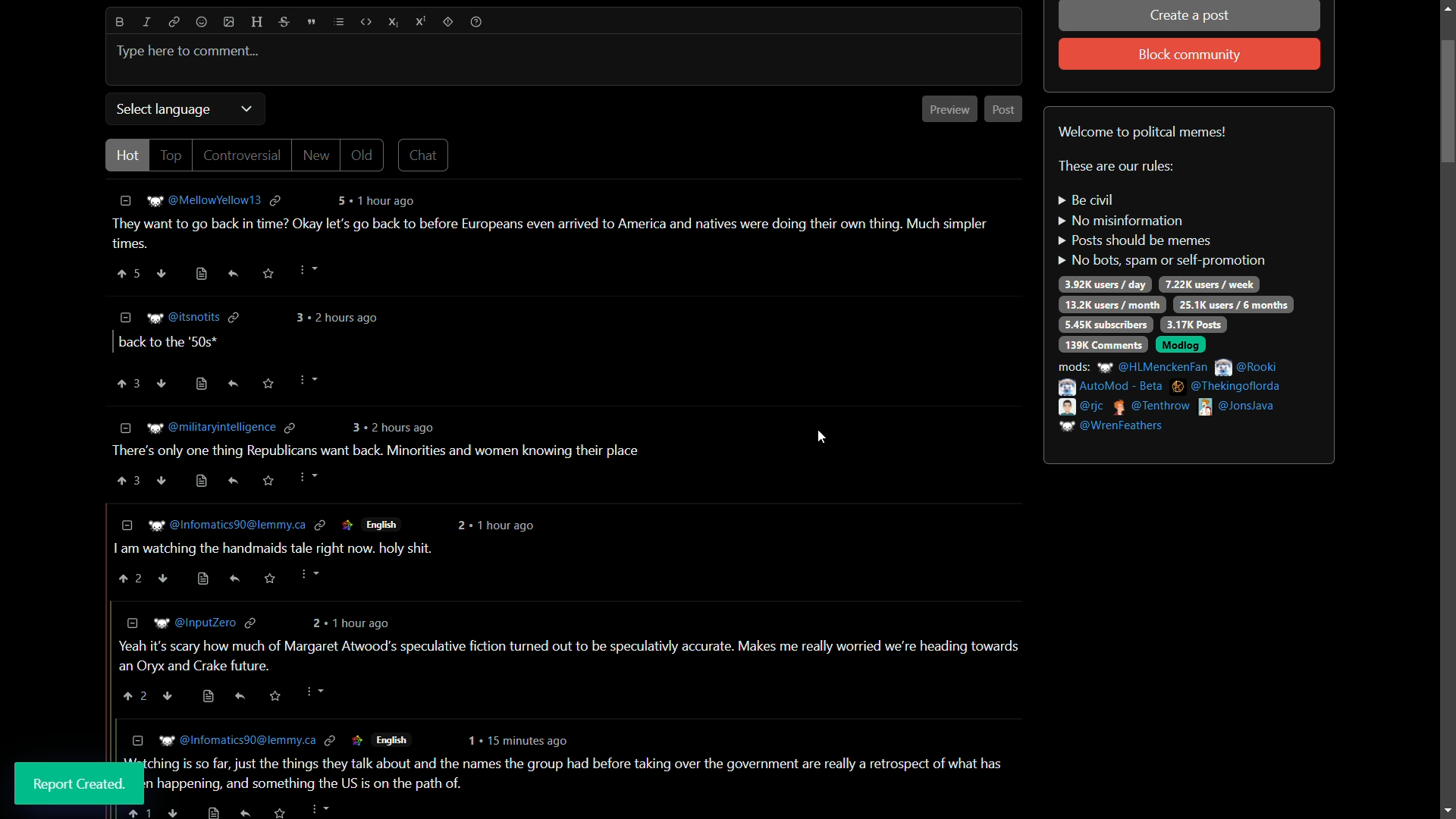 Image resolution: width=1456 pixels, height=819 pixels. What do you see at coordinates (370, 458) in the screenshot?
I see `comment-3` at bounding box center [370, 458].